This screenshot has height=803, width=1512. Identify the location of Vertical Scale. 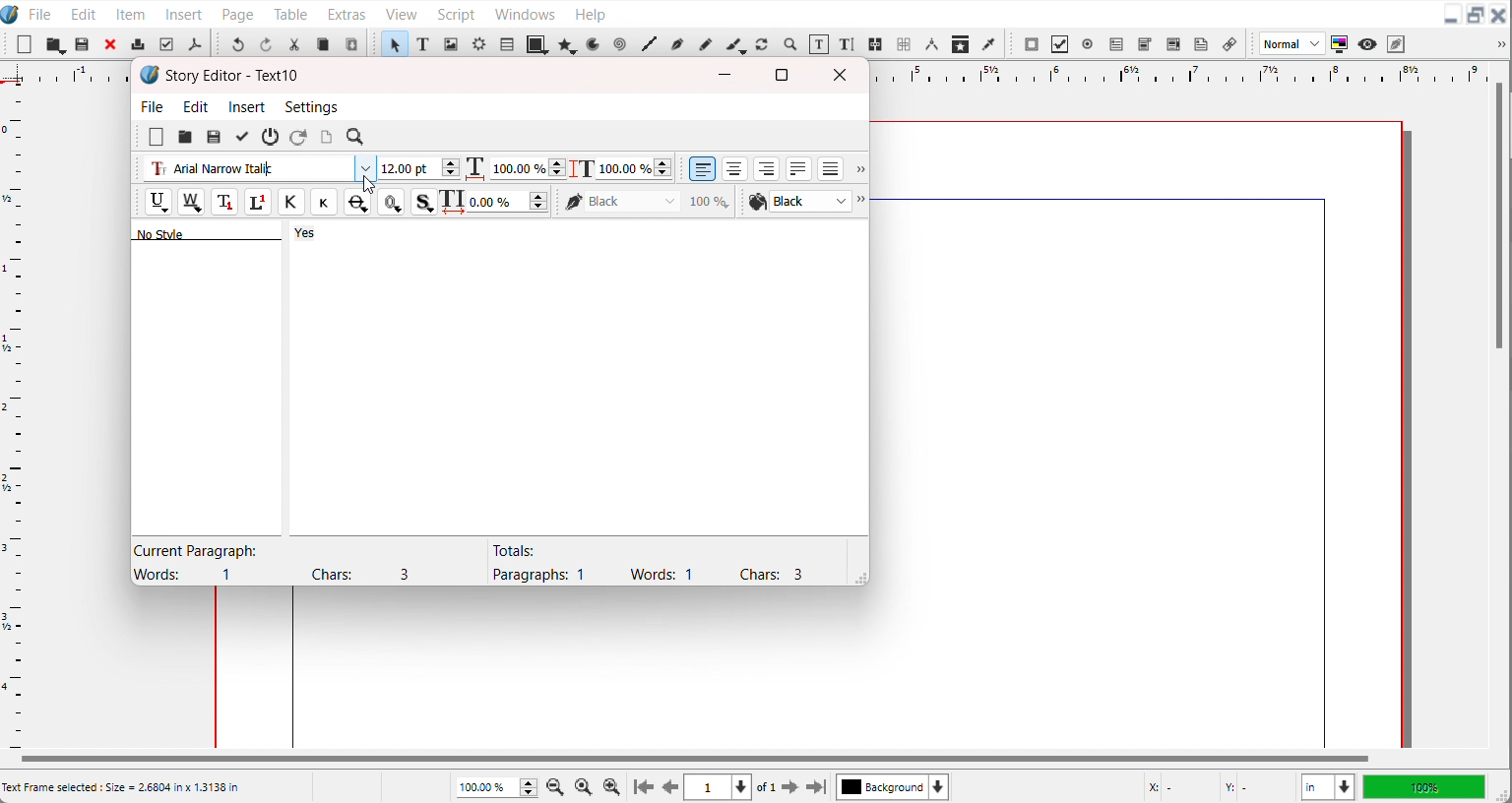
(14, 413).